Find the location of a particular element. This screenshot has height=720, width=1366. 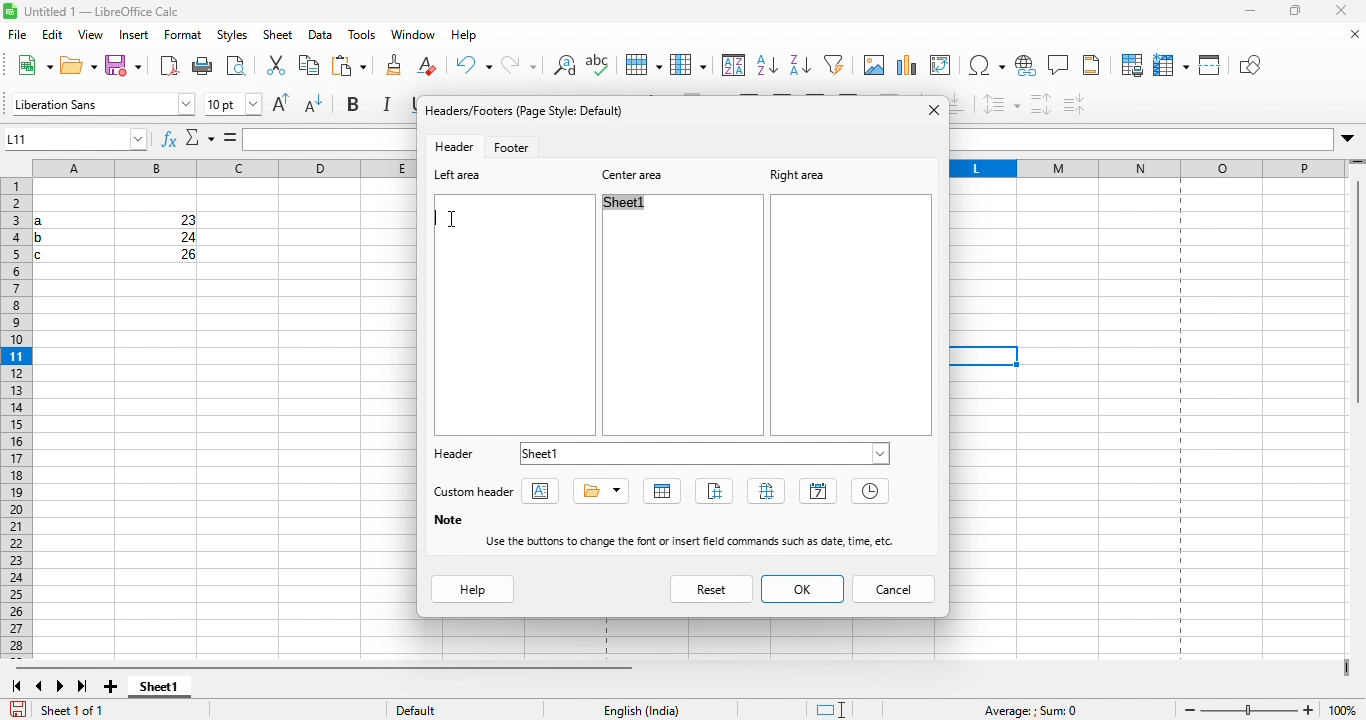

save is located at coordinates (123, 67).